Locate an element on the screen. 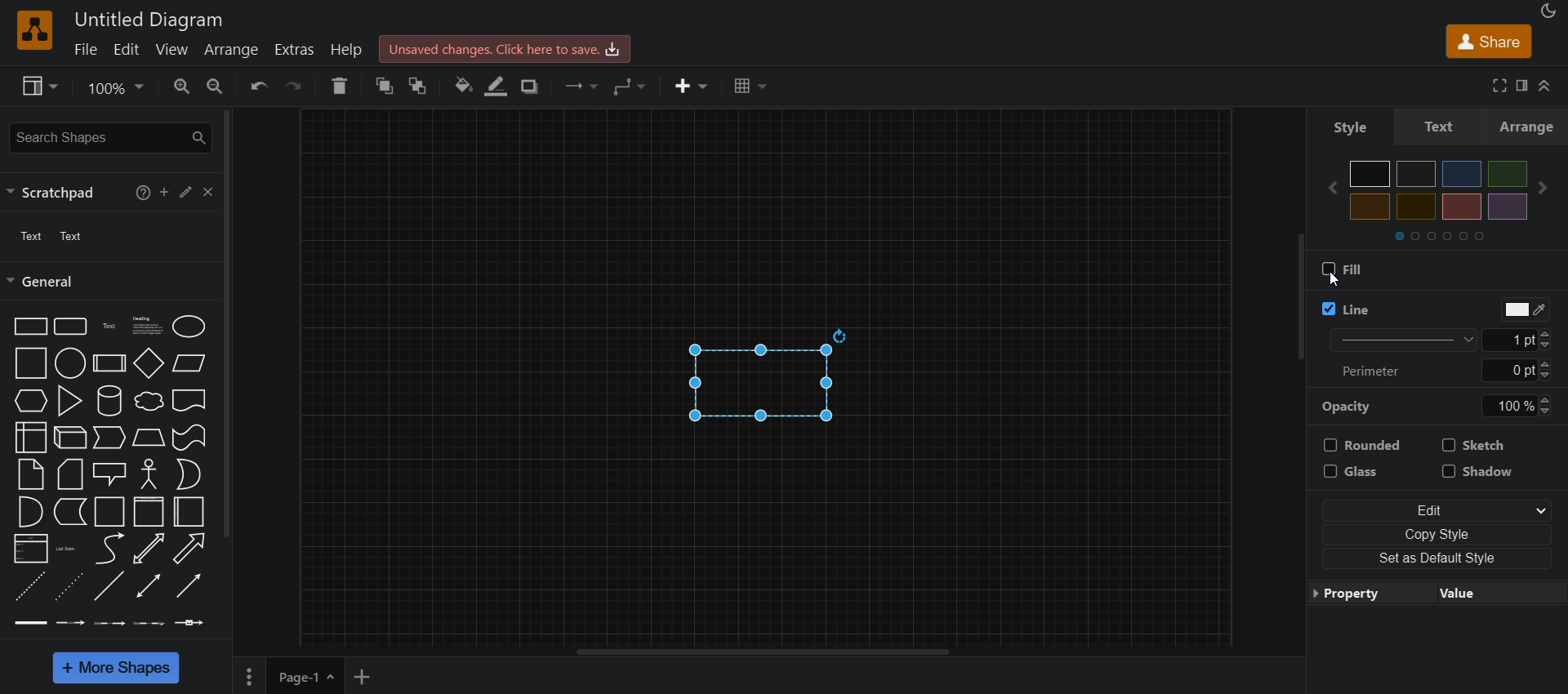 The image size is (1568, 694). internal storage is located at coordinates (30, 438).